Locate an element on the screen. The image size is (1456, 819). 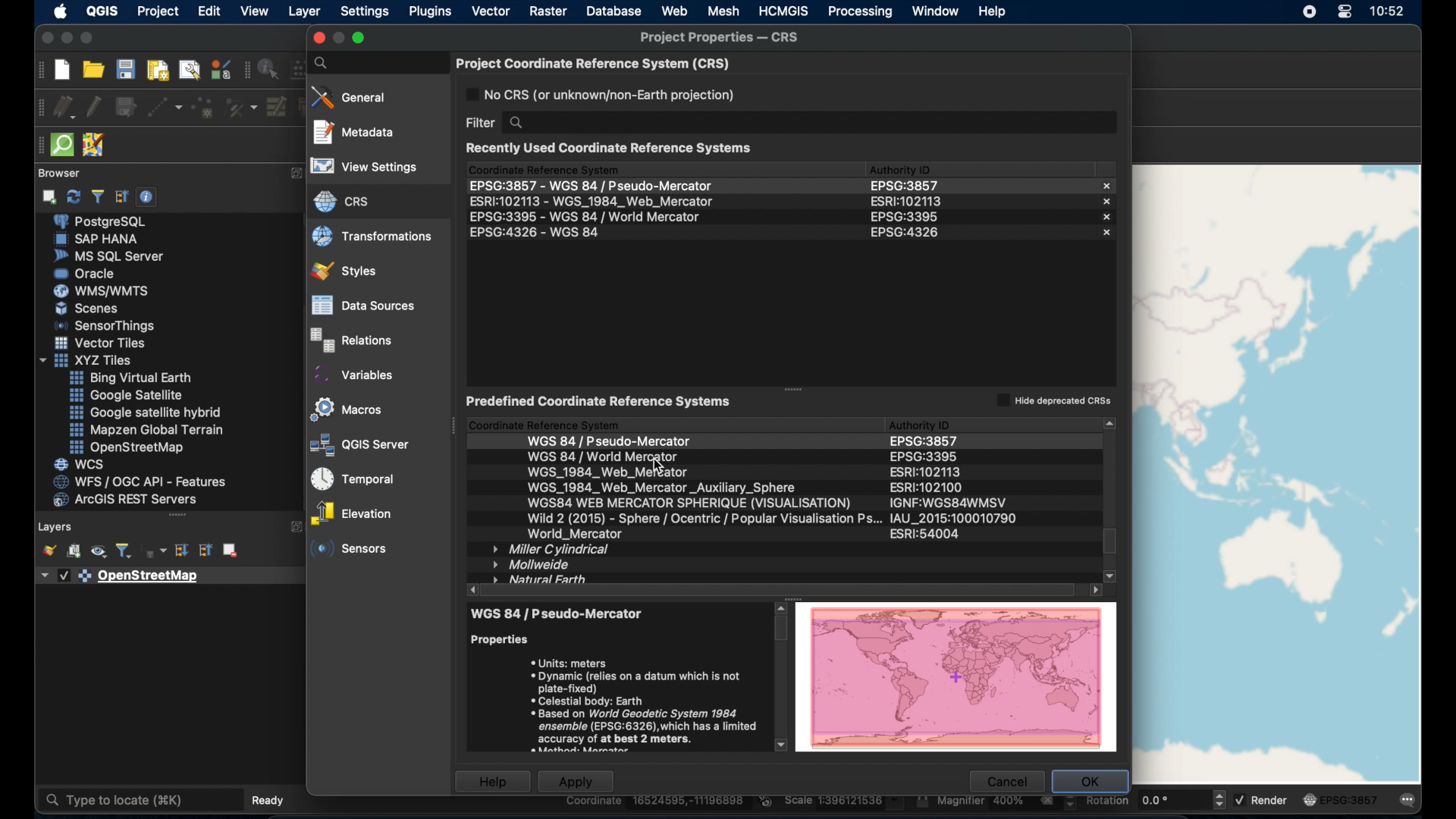
layers is located at coordinates (57, 525).